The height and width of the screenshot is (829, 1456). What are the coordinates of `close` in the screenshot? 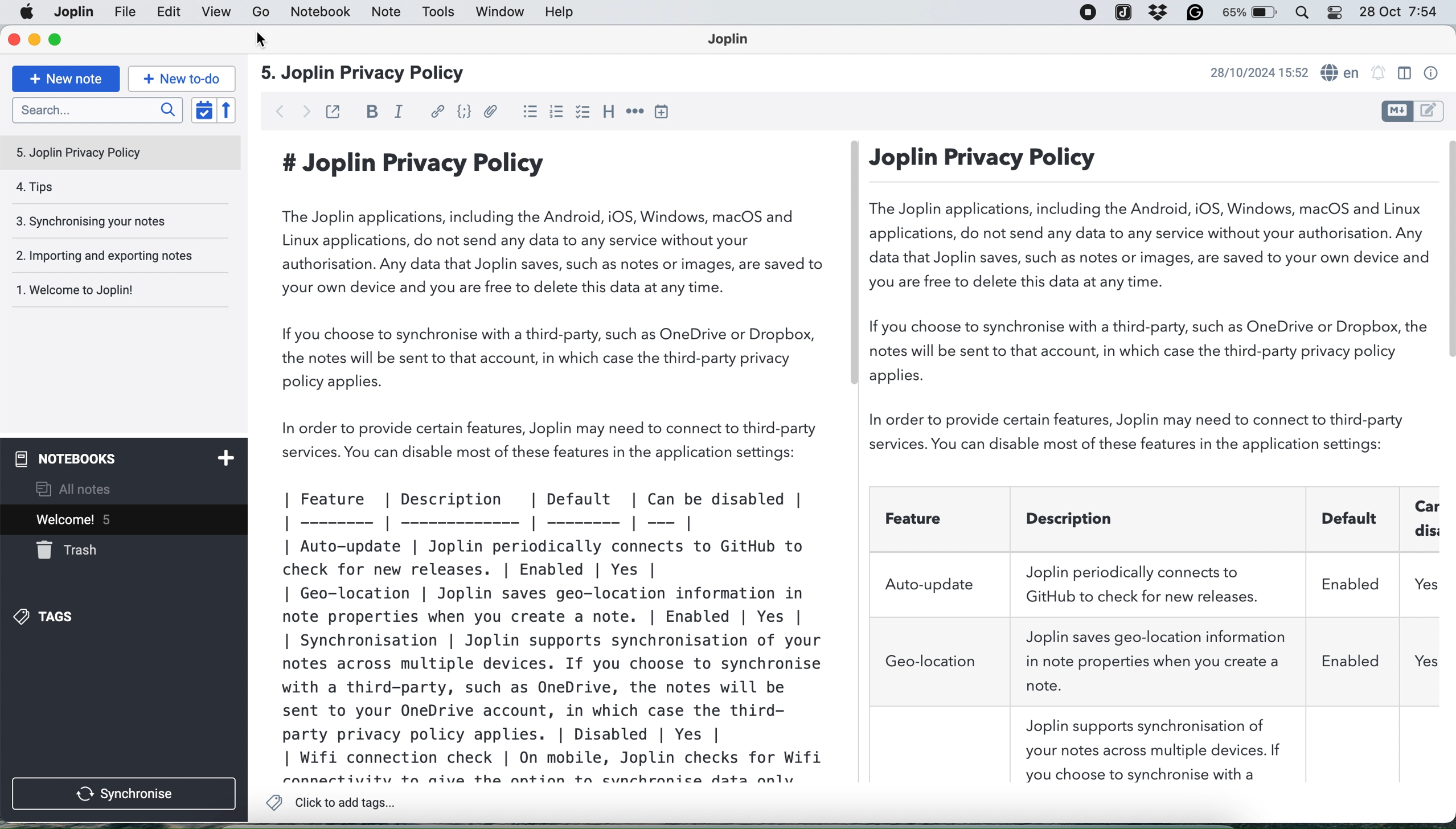 It's located at (13, 40).